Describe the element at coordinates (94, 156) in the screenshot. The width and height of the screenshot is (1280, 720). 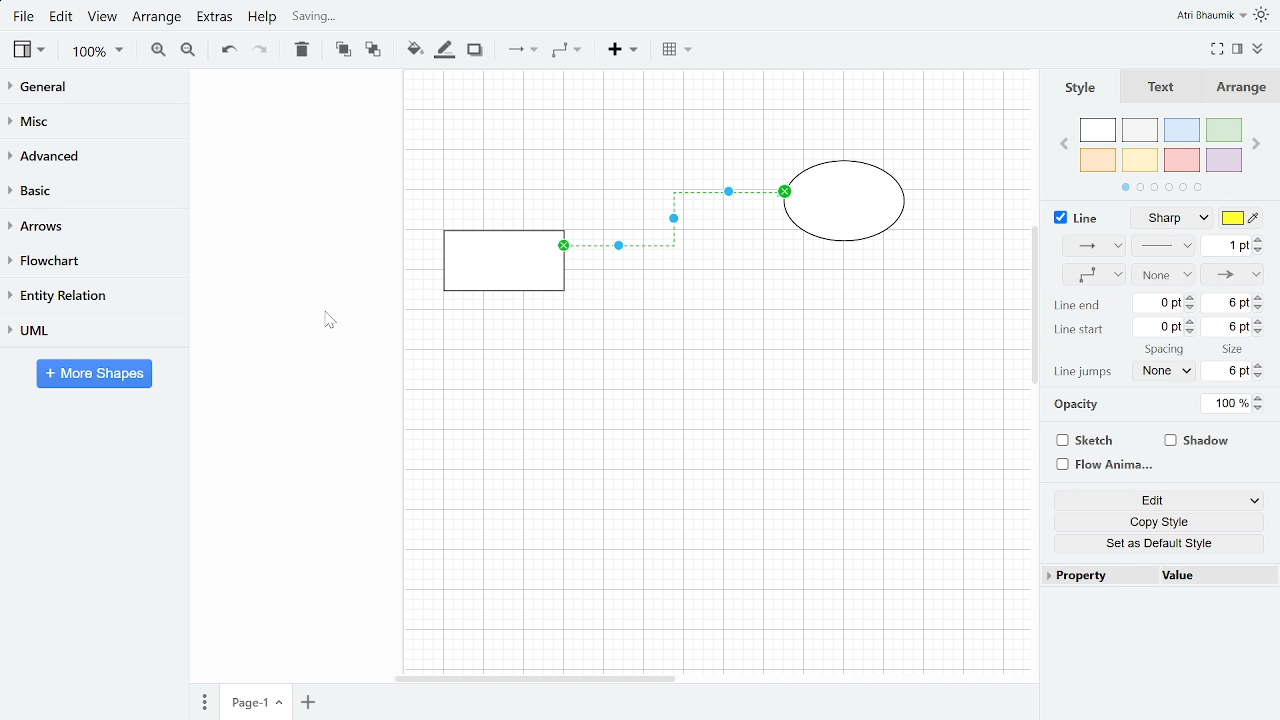
I see `Advanced` at that location.